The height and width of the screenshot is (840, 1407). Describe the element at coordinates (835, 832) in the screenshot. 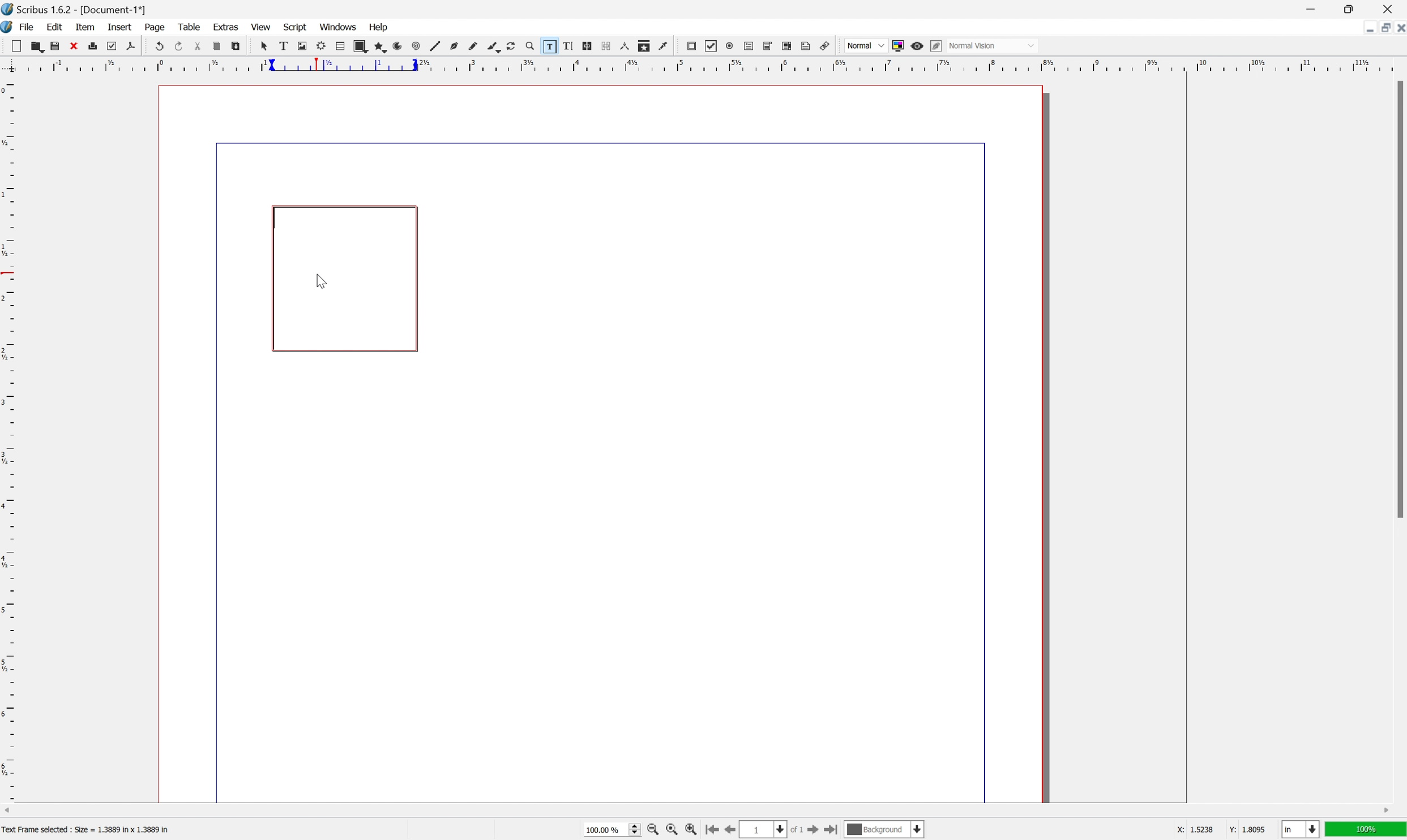

I see `go to last page` at that location.